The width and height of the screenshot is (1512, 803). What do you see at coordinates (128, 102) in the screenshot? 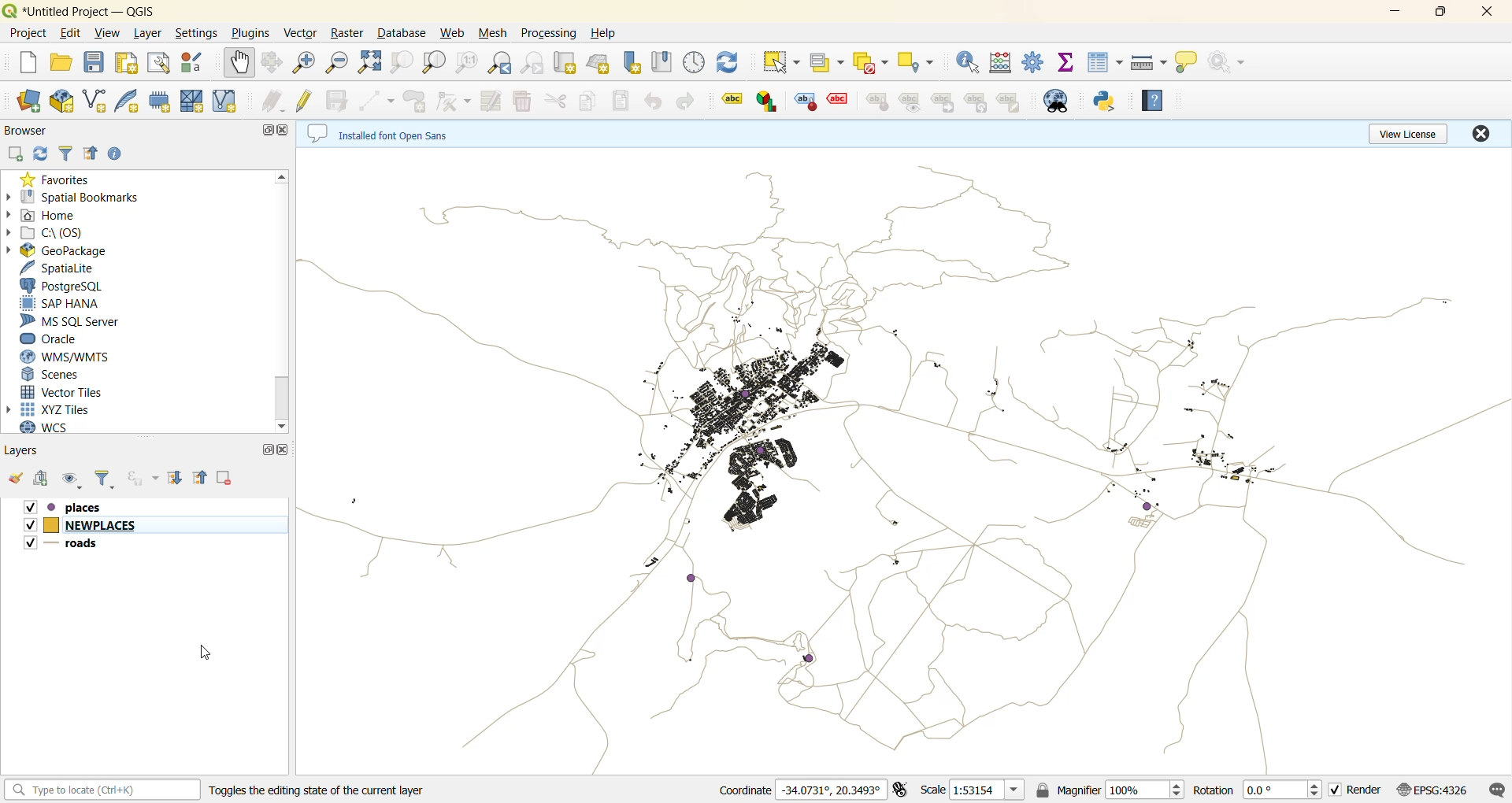
I see `new spatialite layer` at bounding box center [128, 102].